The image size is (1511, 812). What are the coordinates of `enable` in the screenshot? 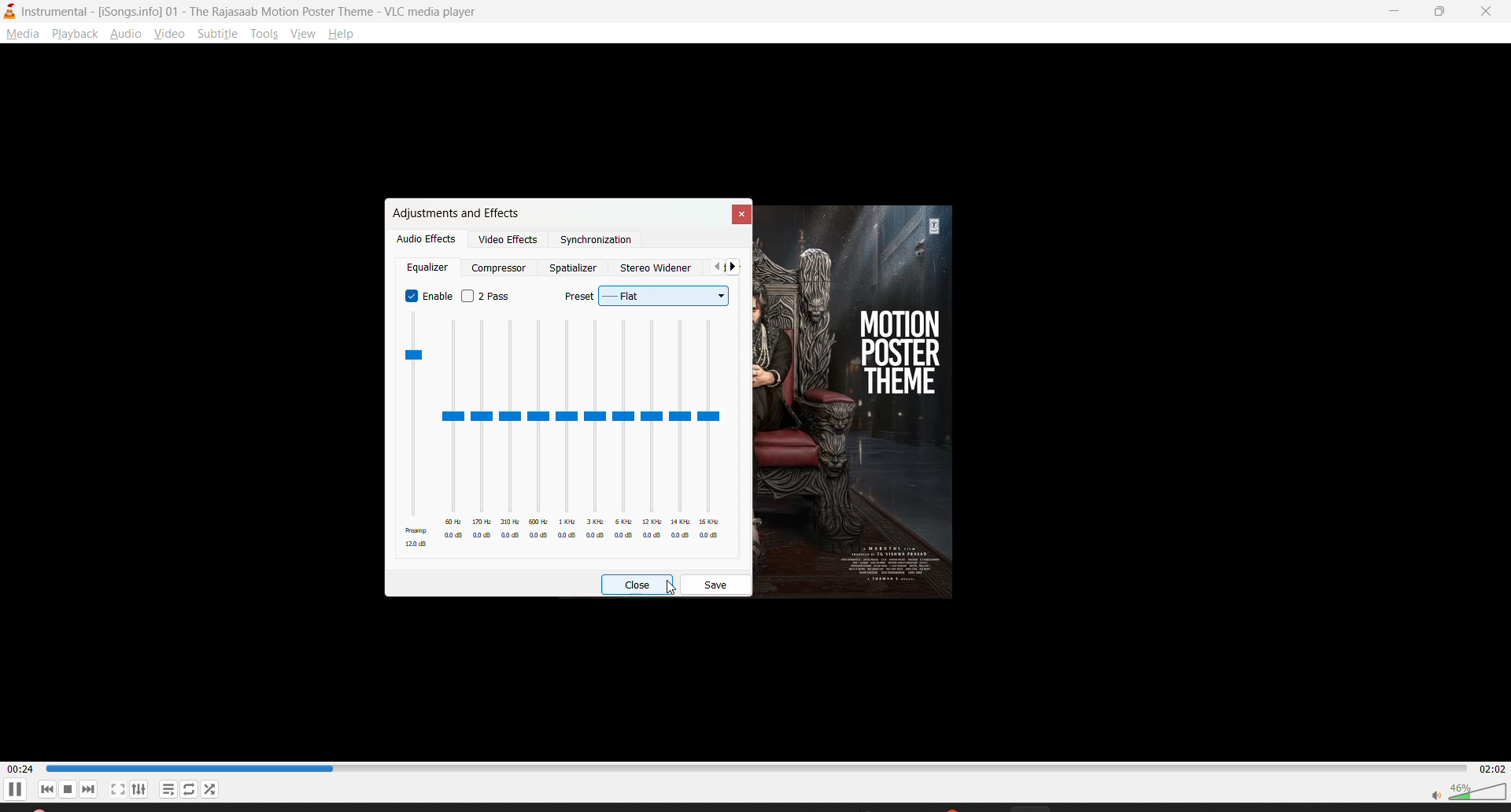 It's located at (427, 294).